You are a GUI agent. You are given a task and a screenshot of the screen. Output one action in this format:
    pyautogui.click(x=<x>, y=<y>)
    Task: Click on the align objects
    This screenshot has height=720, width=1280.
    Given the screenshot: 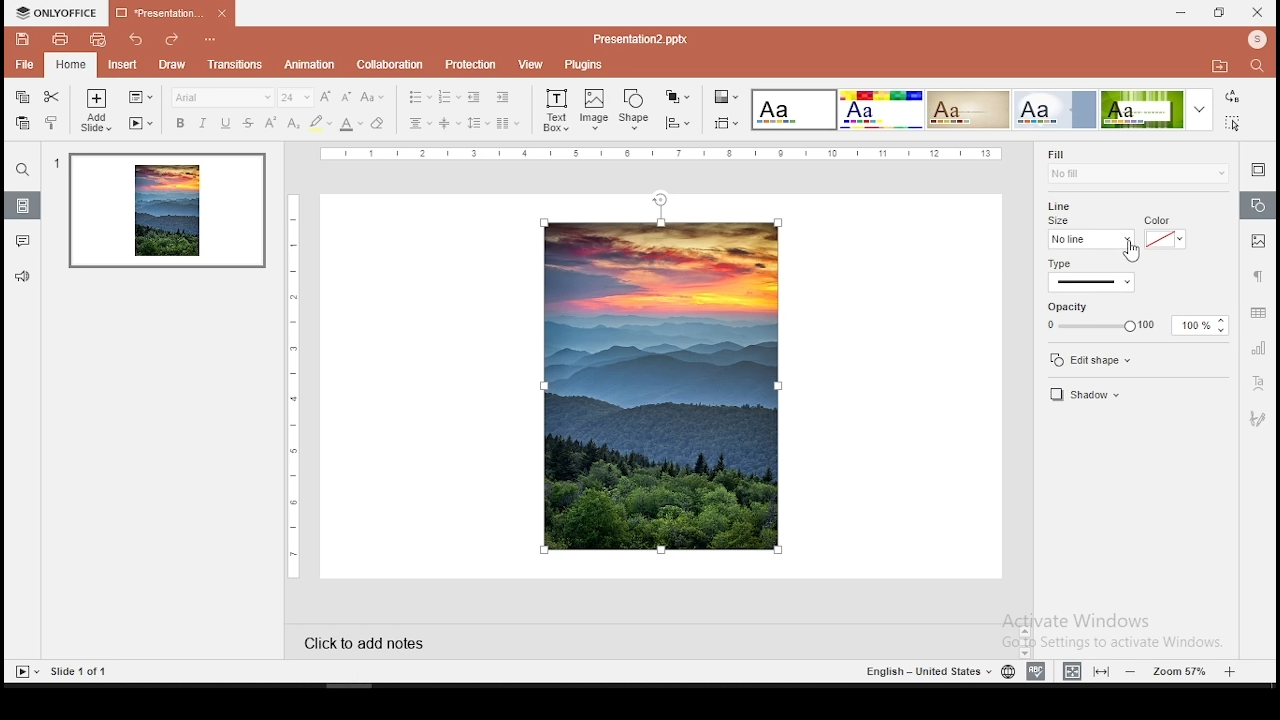 What is the action you would take?
    pyautogui.click(x=726, y=123)
    